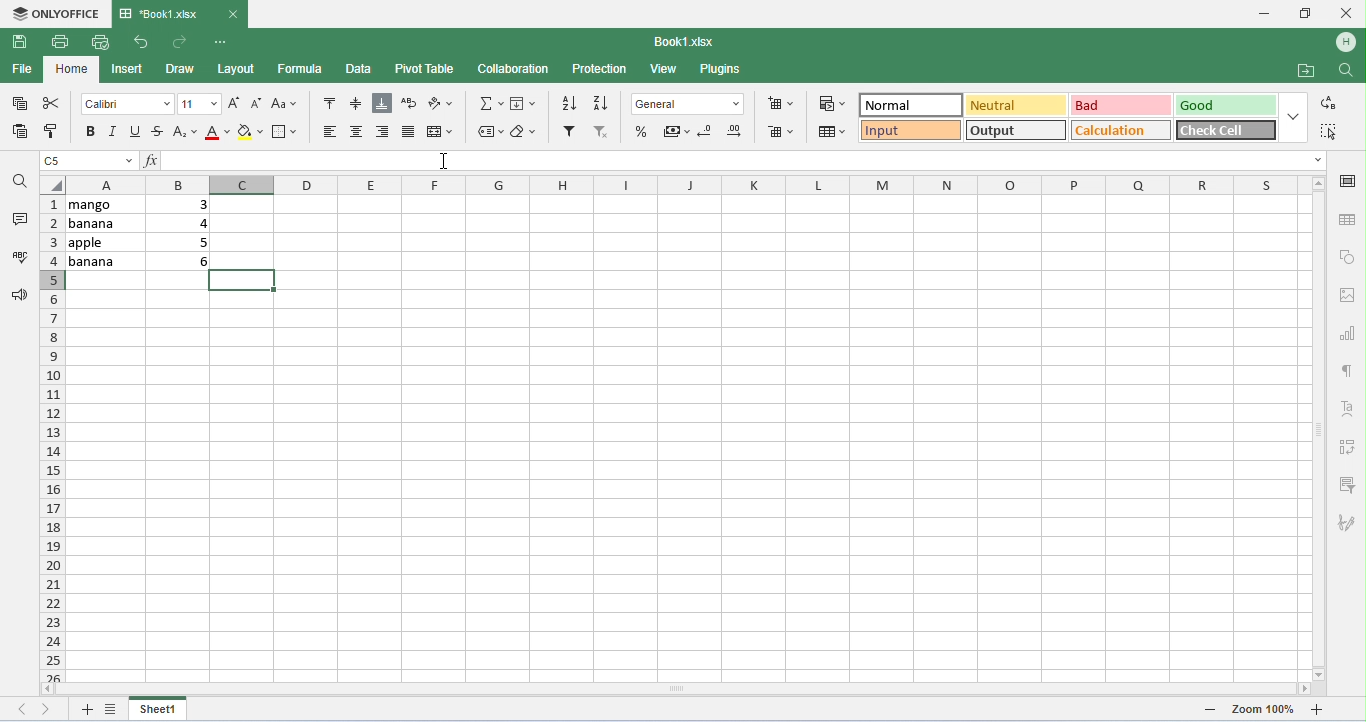 This screenshot has width=1366, height=722. What do you see at coordinates (104, 261) in the screenshot?
I see `banana` at bounding box center [104, 261].